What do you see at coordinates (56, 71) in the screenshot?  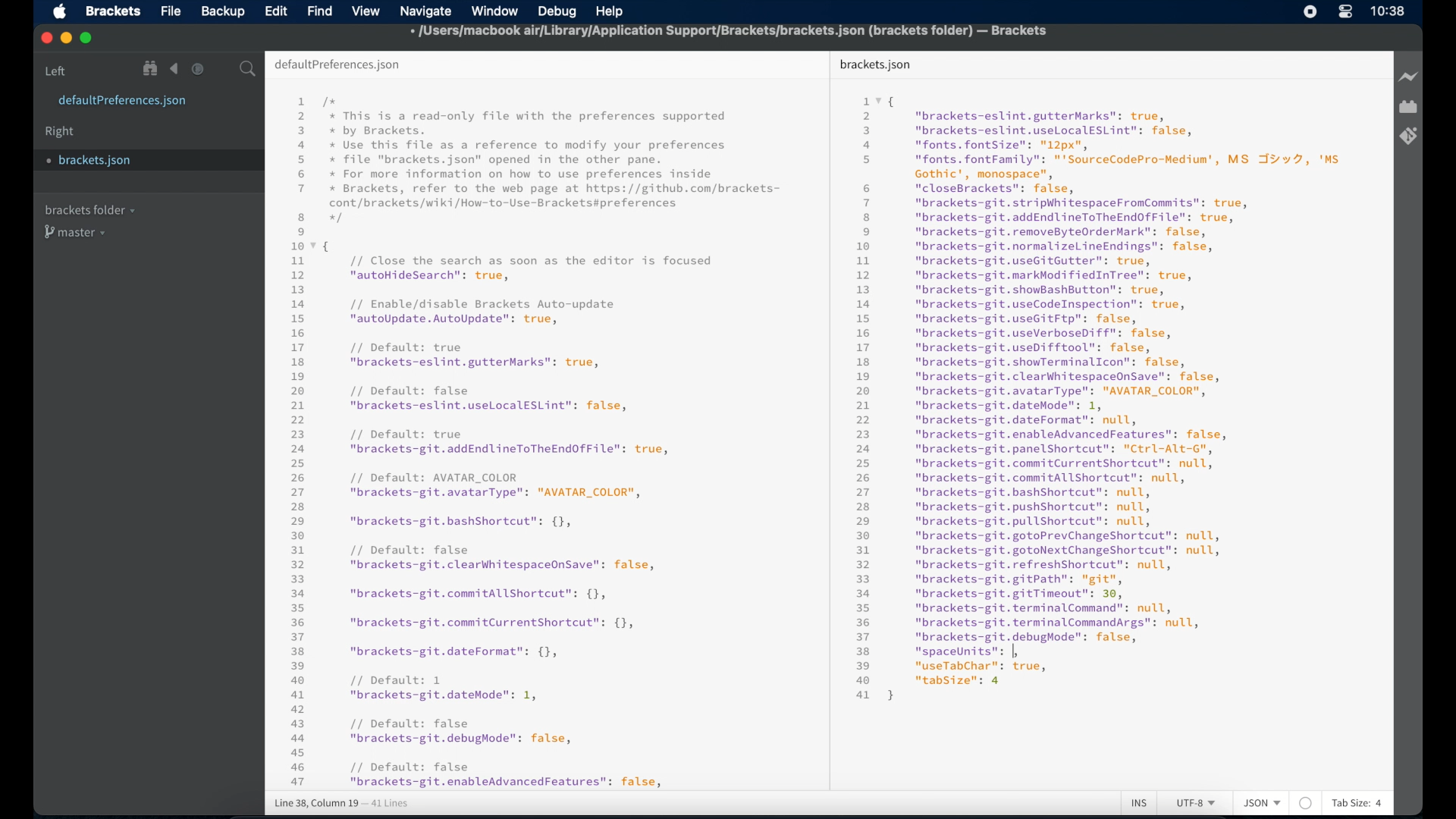 I see `left` at bounding box center [56, 71].